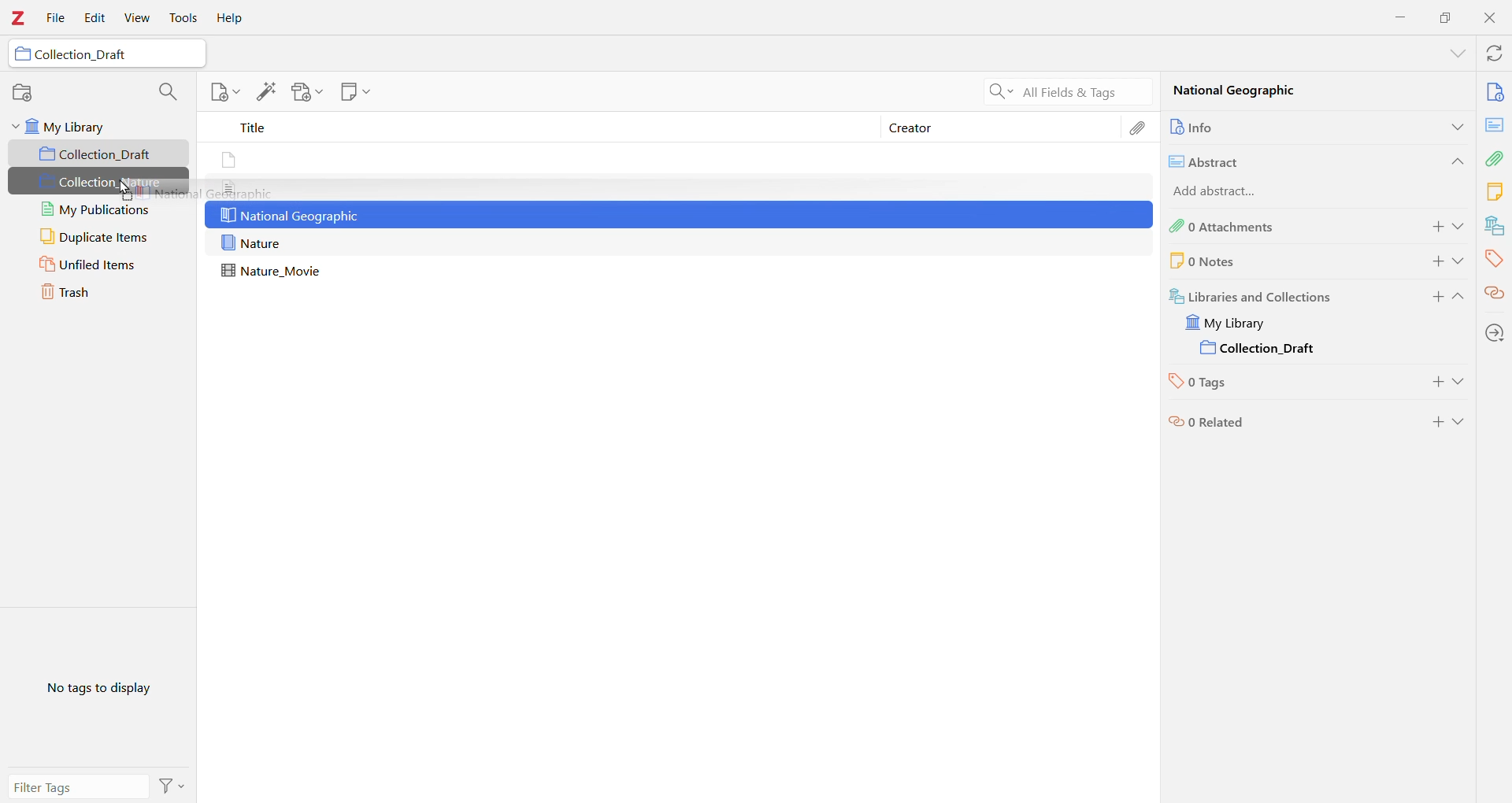  Describe the element at coordinates (228, 187) in the screenshot. I see `file` at that location.